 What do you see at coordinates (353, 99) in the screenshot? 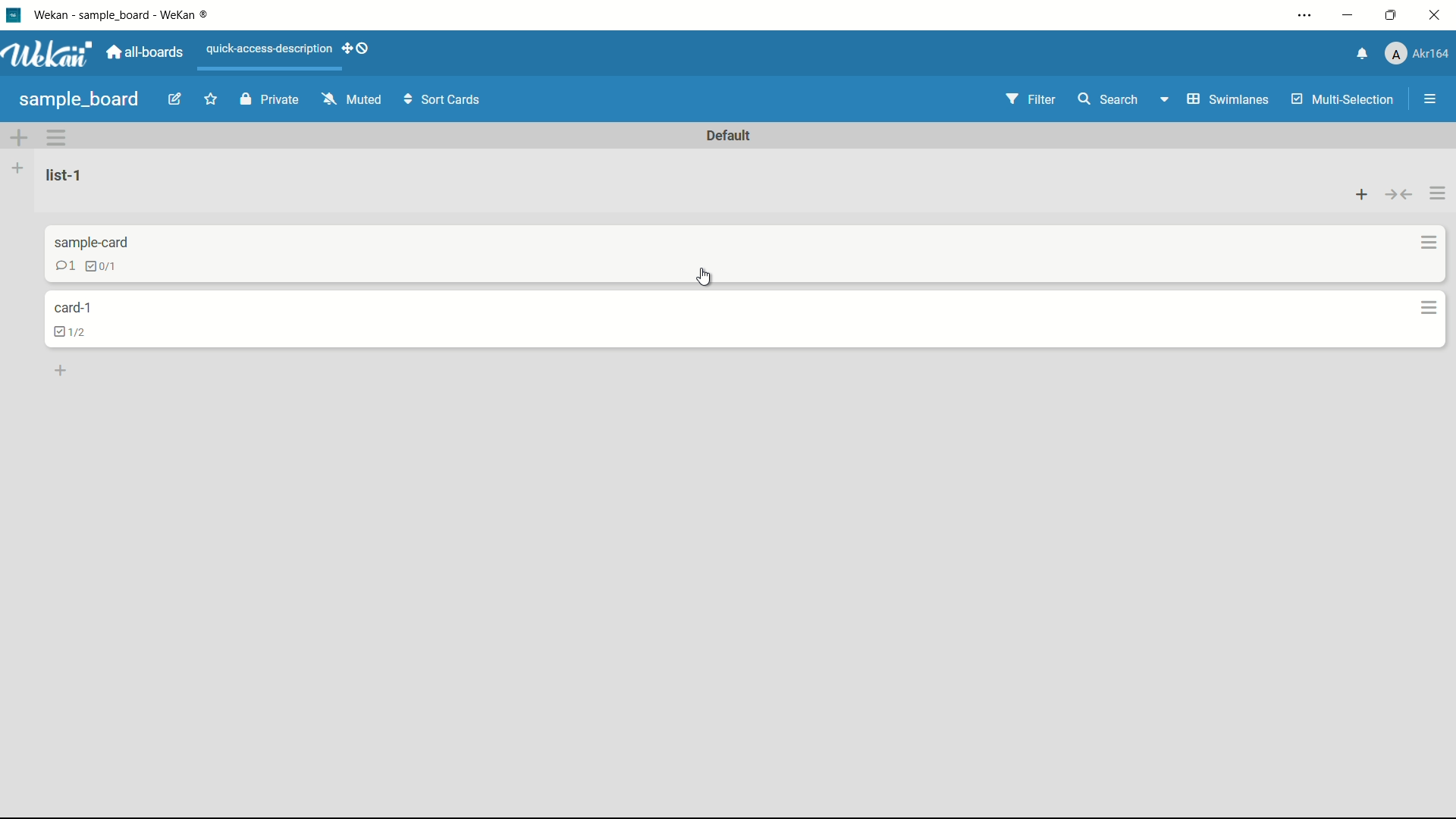
I see `muted` at bounding box center [353, 99].